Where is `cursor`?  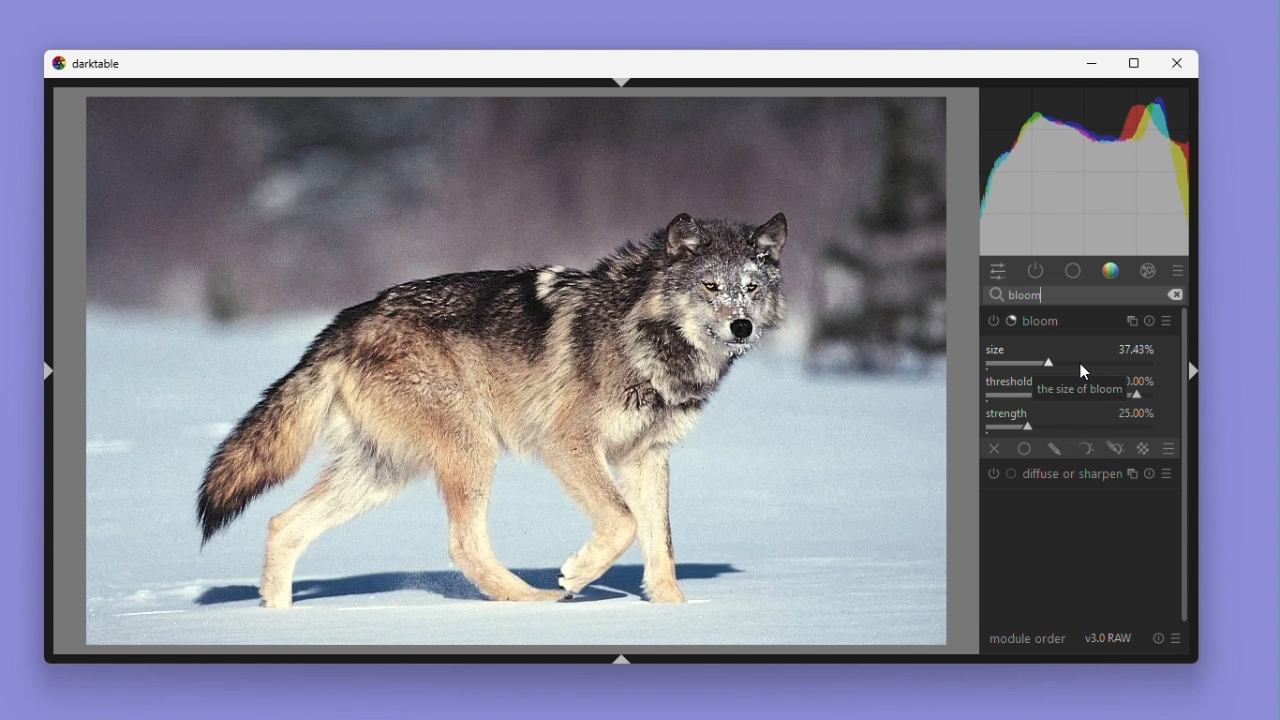
cursor is located at coordinates (1085, 372).